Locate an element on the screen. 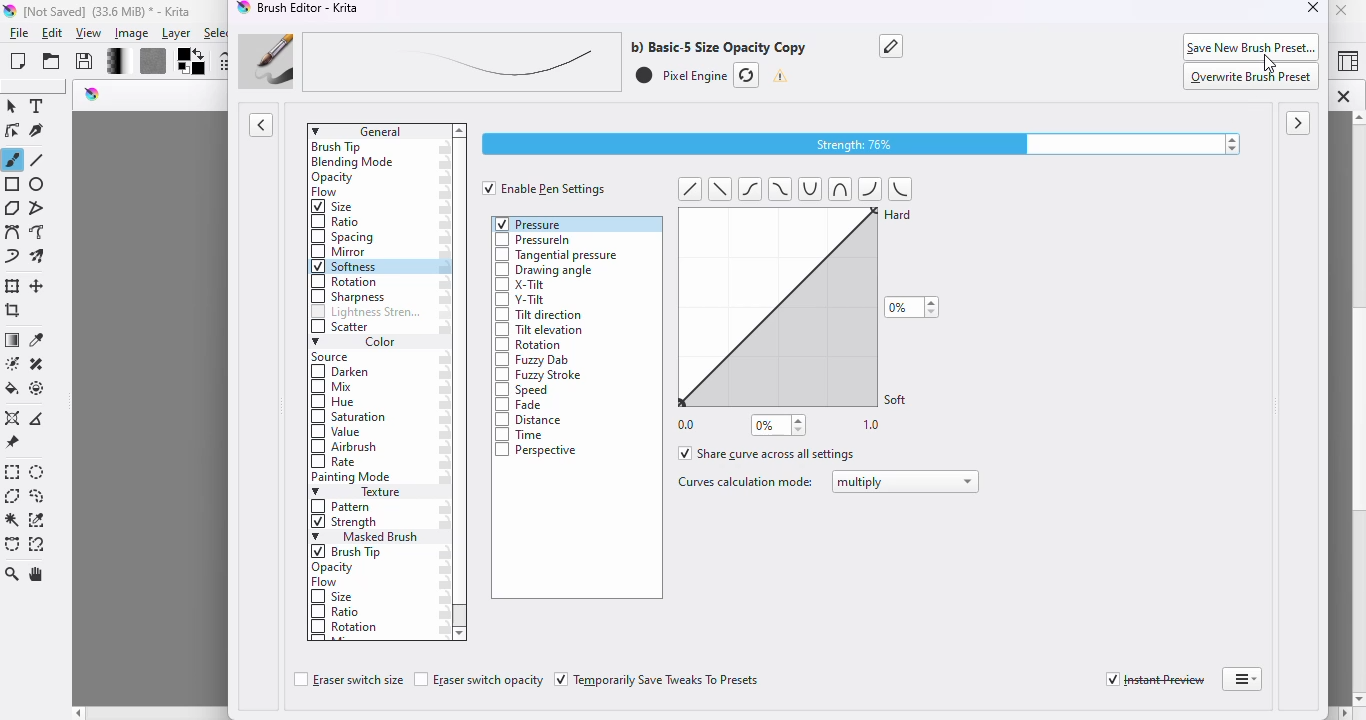  color is located at coordinates (355, 343).